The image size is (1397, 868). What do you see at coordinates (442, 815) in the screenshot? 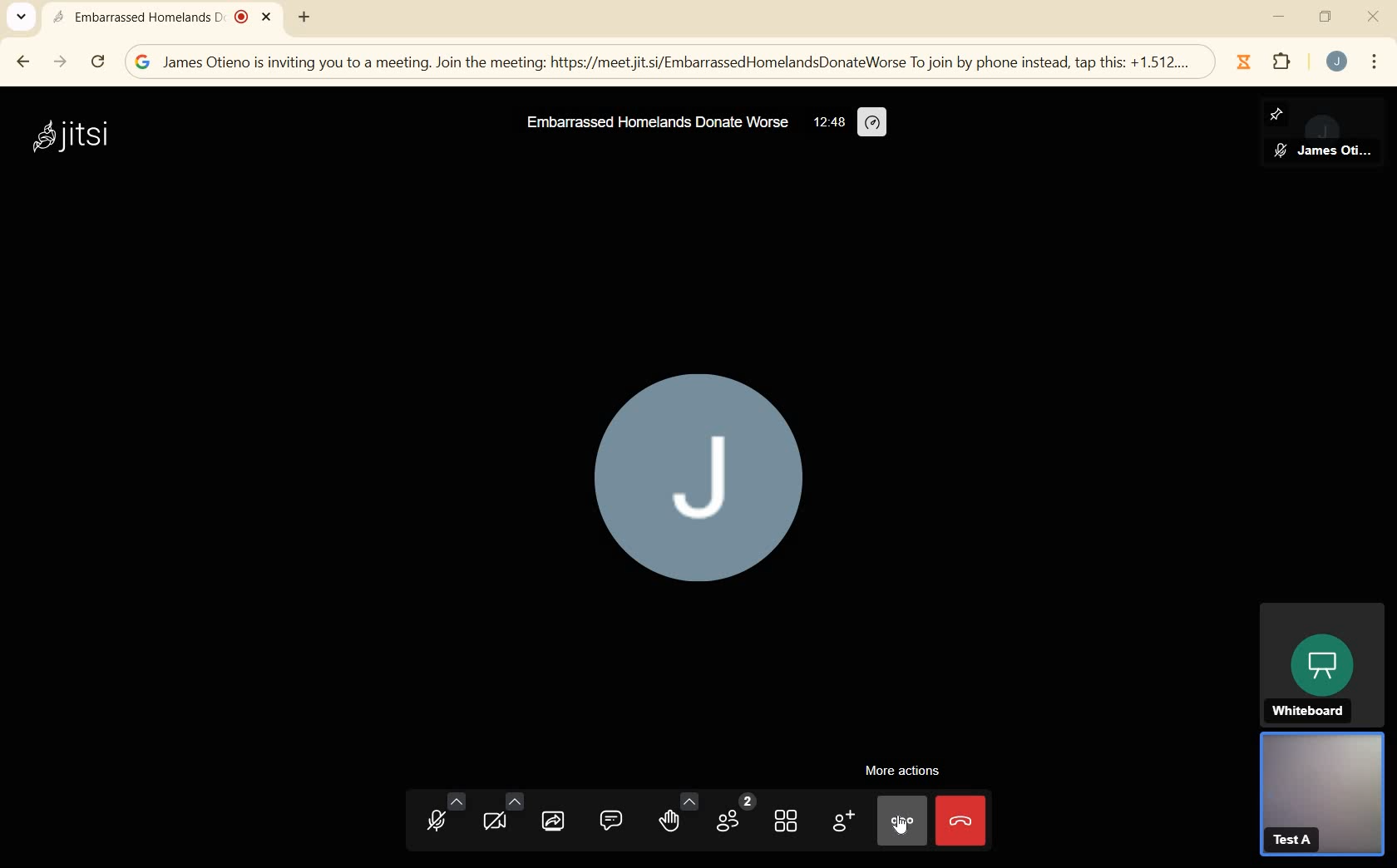
I see `microphone` at bounding box center [442, 815].